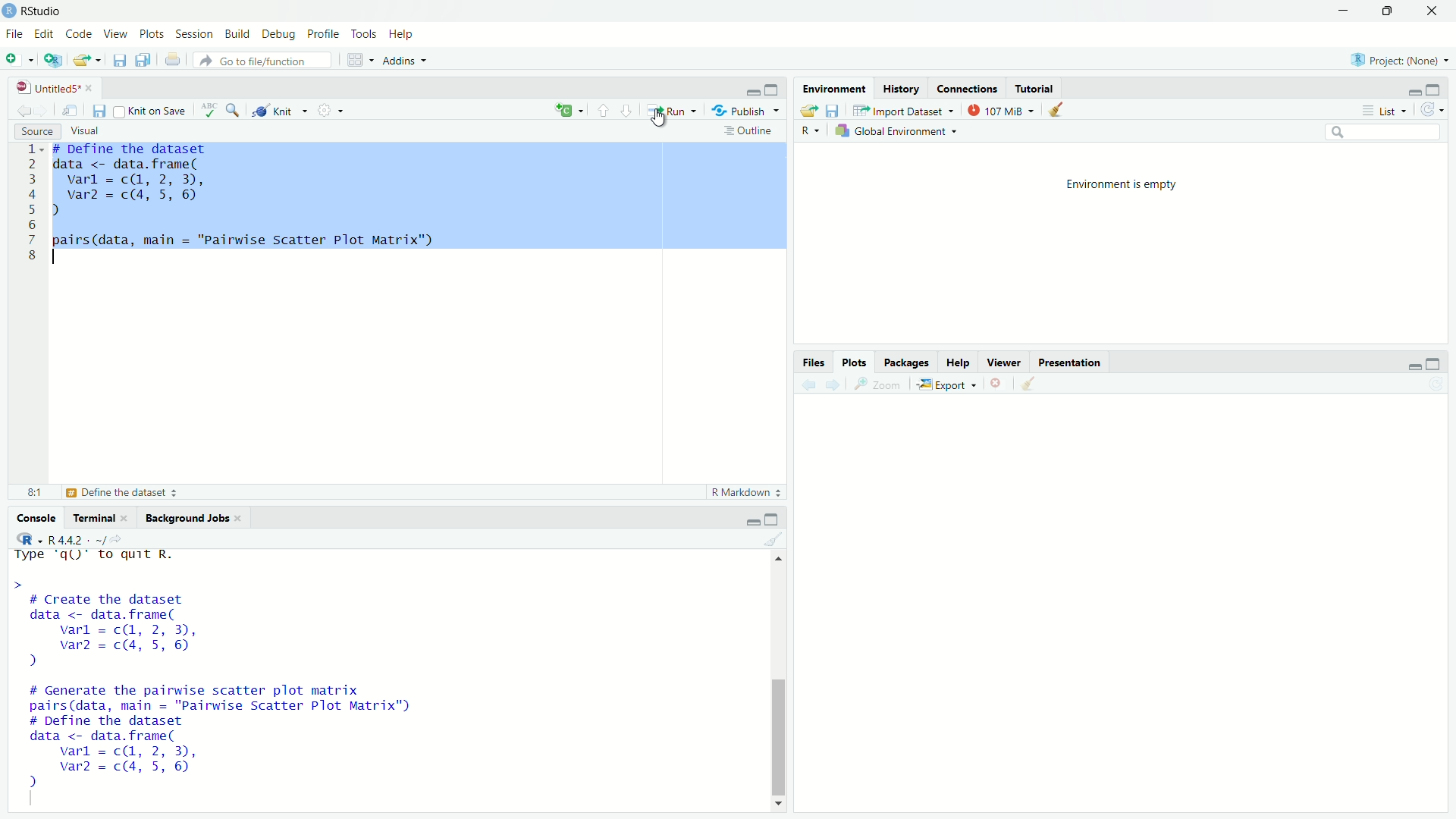  I want to click on Save workspace as, so click(833, 108).